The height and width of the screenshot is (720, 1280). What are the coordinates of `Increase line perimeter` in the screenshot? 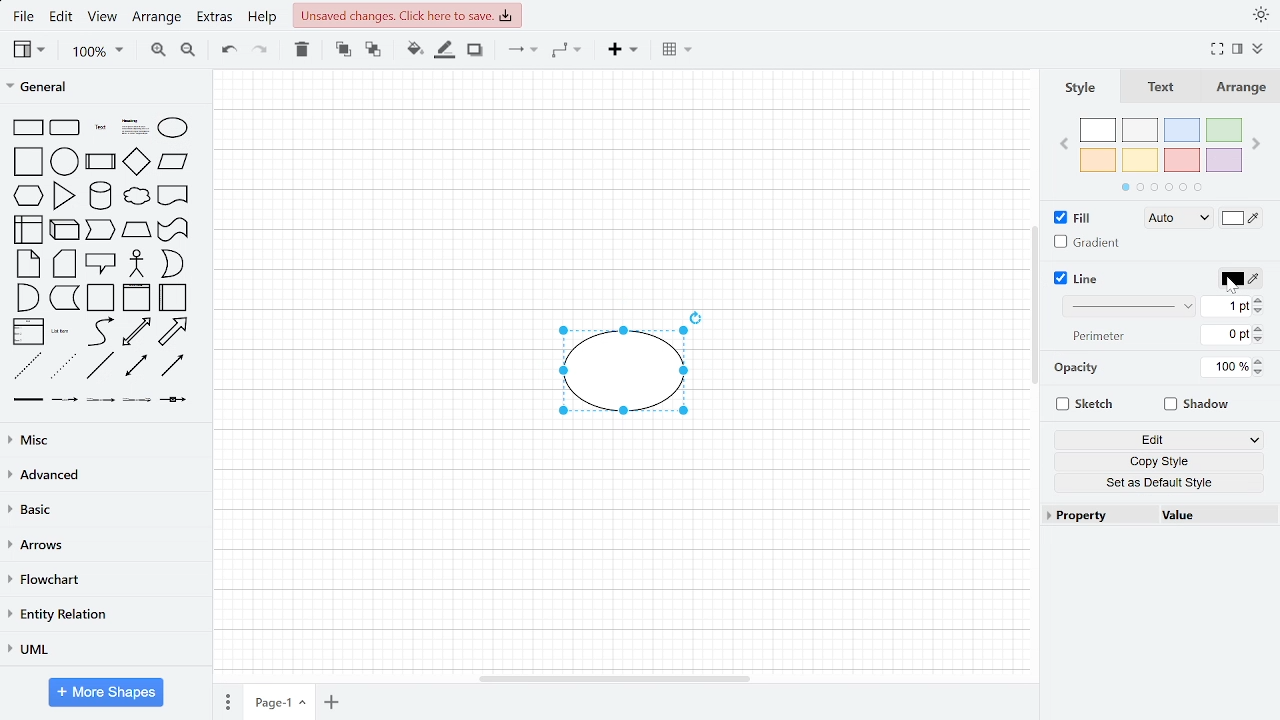 It's located at (1259, 328).